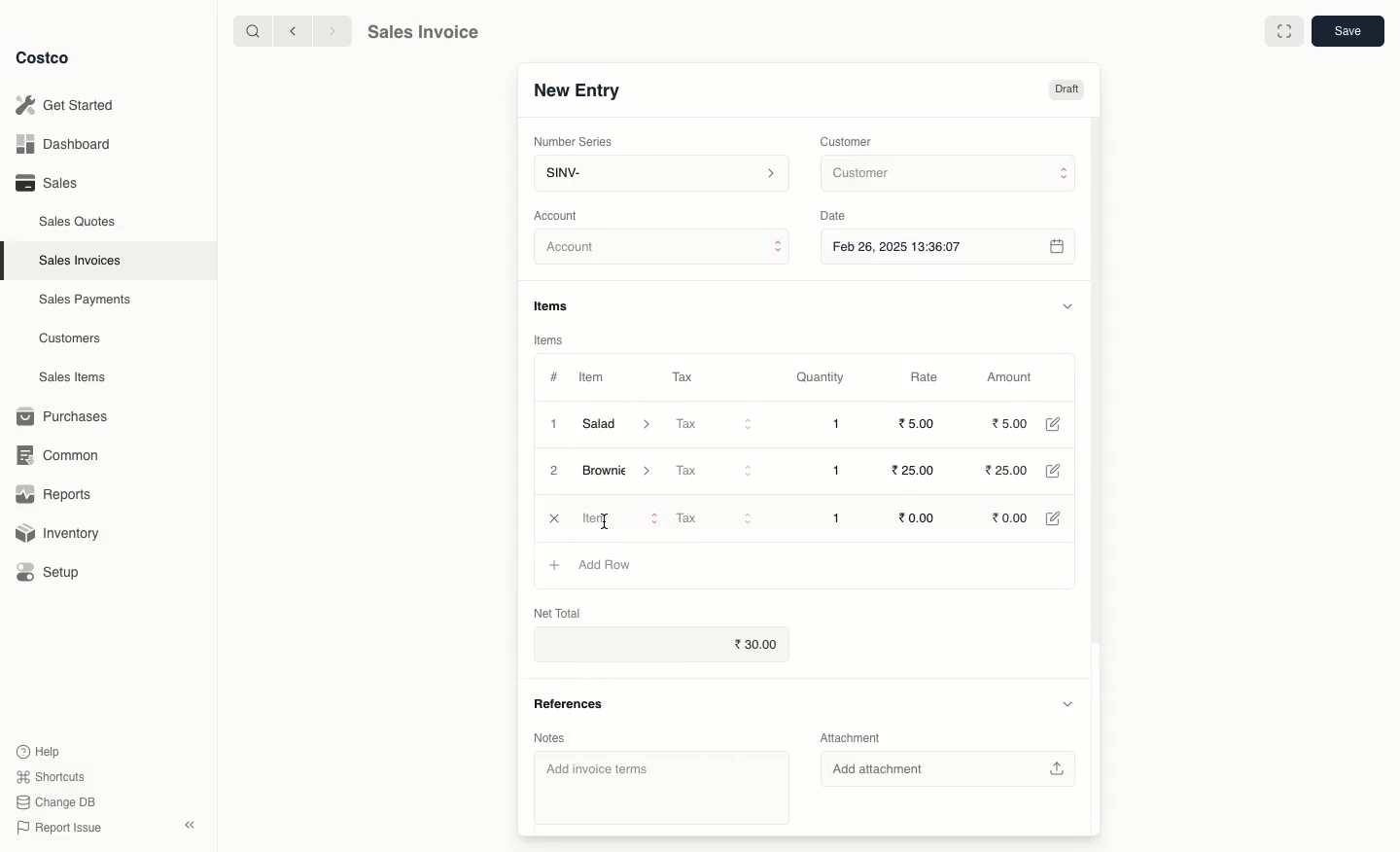 This screenshot has width=1400, height=852. Describe the element at coordinates (61, 531) in the screenshot. I see `Inventory` at that location.